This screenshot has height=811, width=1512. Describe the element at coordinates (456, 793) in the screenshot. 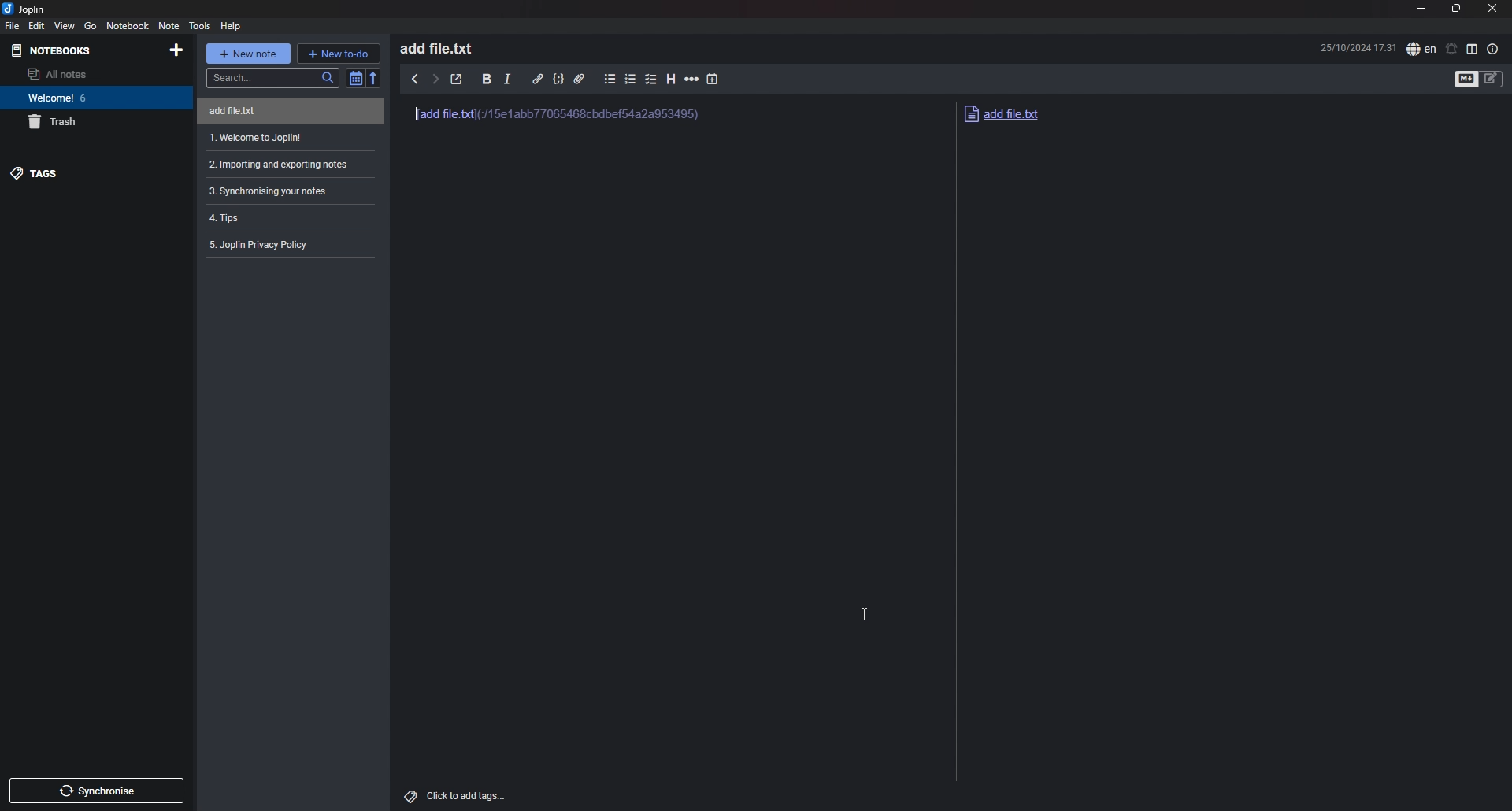

I see `click to add tags` at that location.